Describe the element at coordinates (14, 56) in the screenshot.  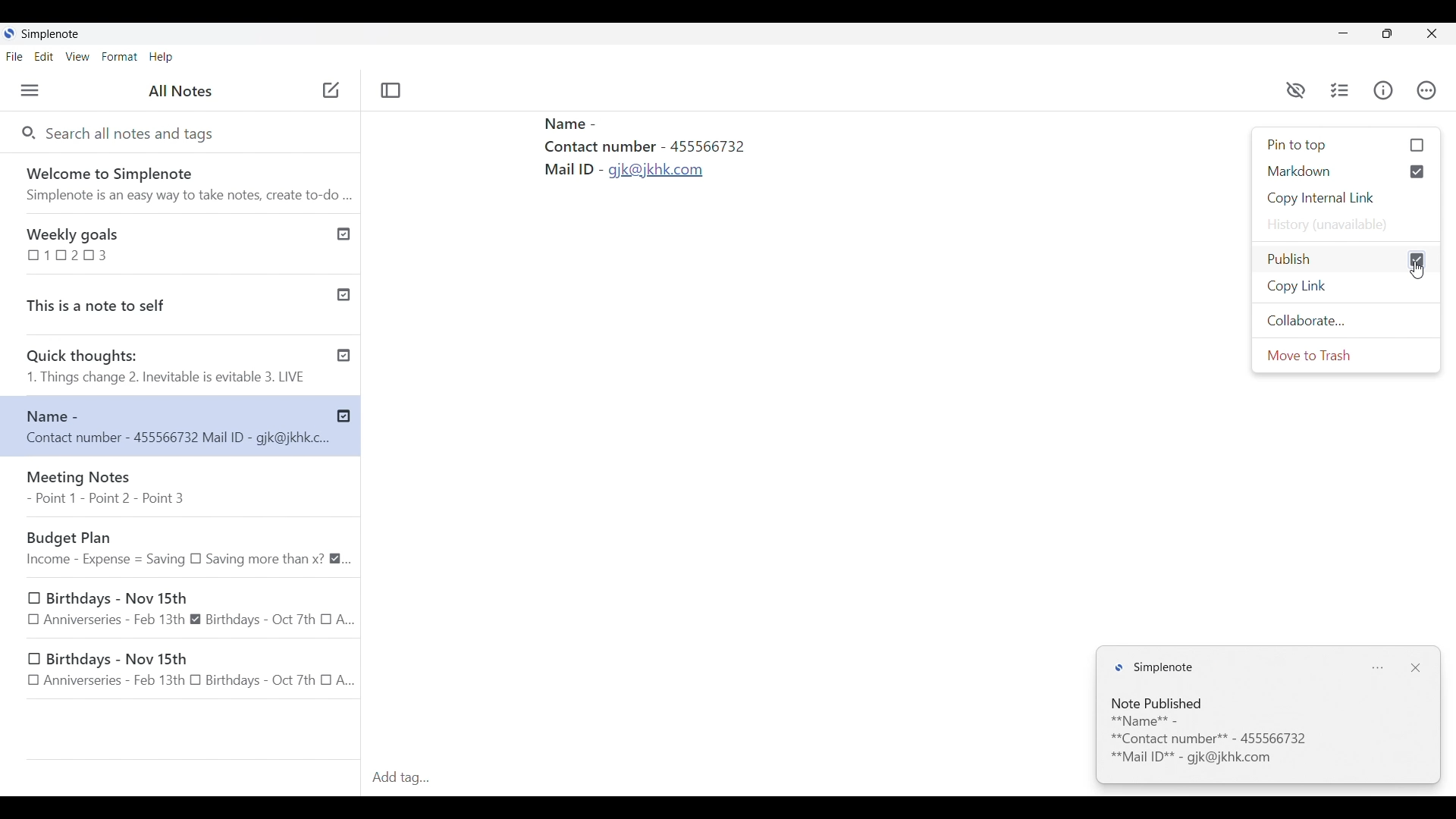
I see `File menu` at that location.